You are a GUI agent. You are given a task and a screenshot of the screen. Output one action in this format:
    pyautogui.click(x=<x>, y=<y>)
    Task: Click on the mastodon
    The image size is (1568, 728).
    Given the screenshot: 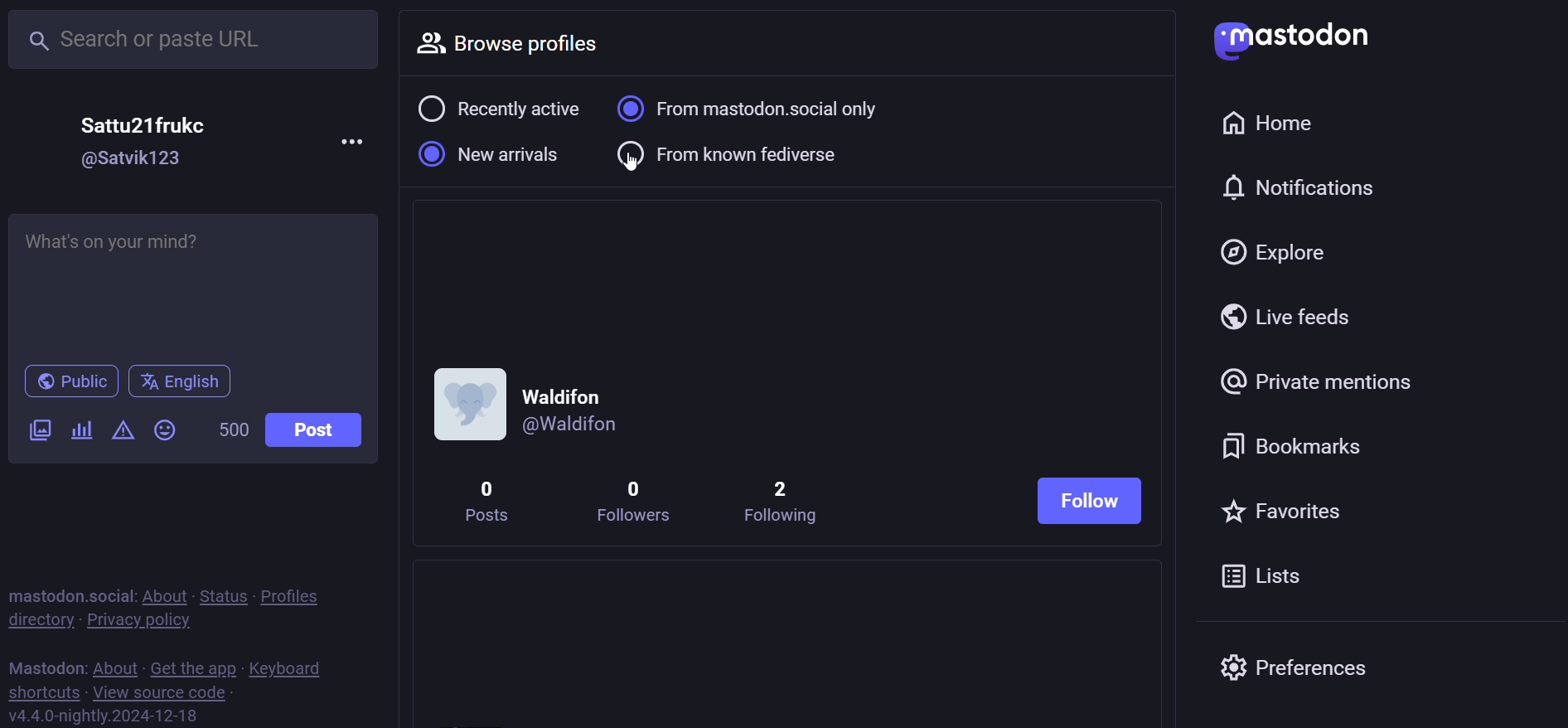 What is the action you would take?
    pyautogui.click(x=45, y=668)
    